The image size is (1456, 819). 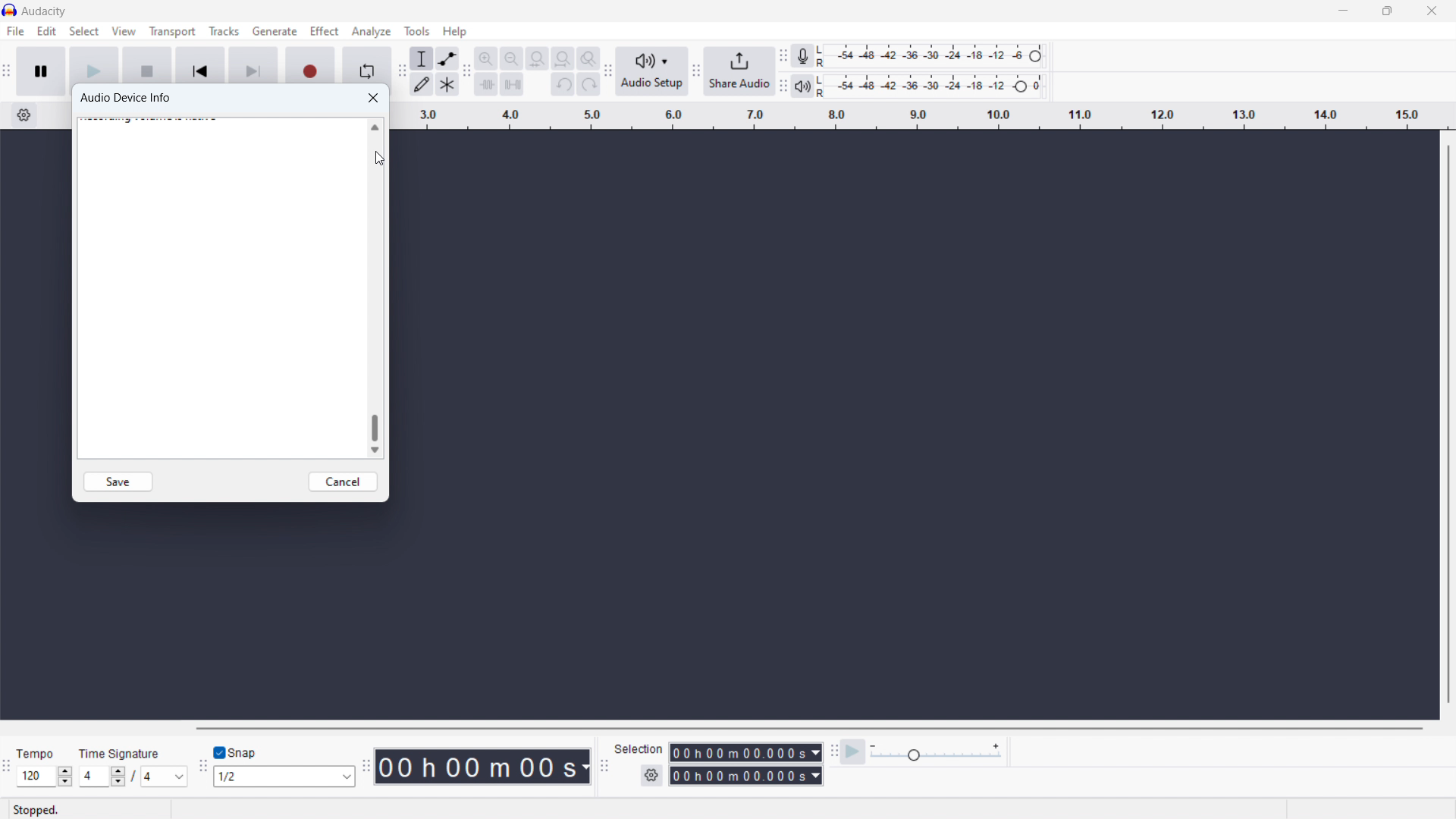 I want to click on edit toolbar, so click(x=467, y=71).